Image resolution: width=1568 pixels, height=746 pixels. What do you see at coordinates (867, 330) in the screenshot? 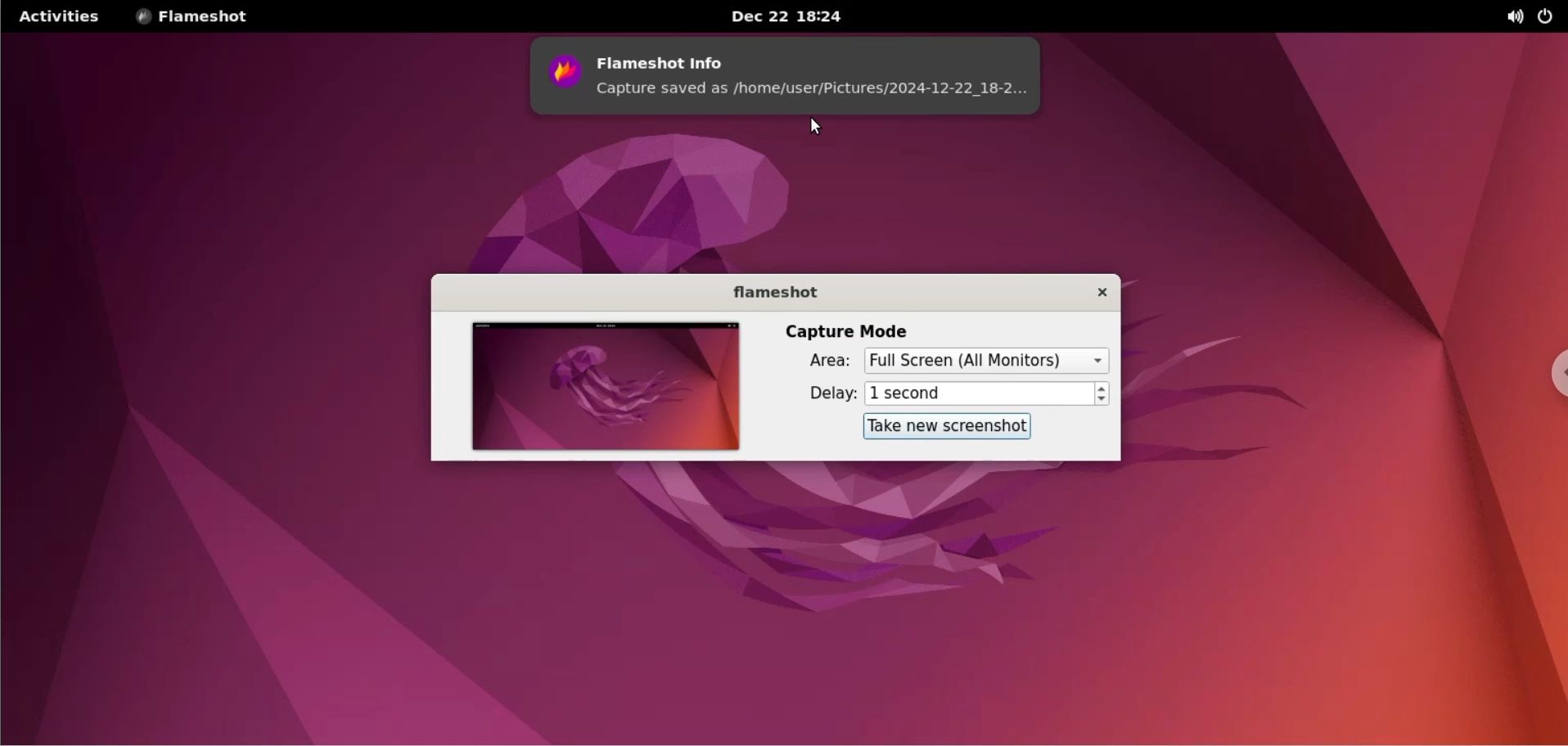
I see `capture mode ` at bounding box center [867, 330].